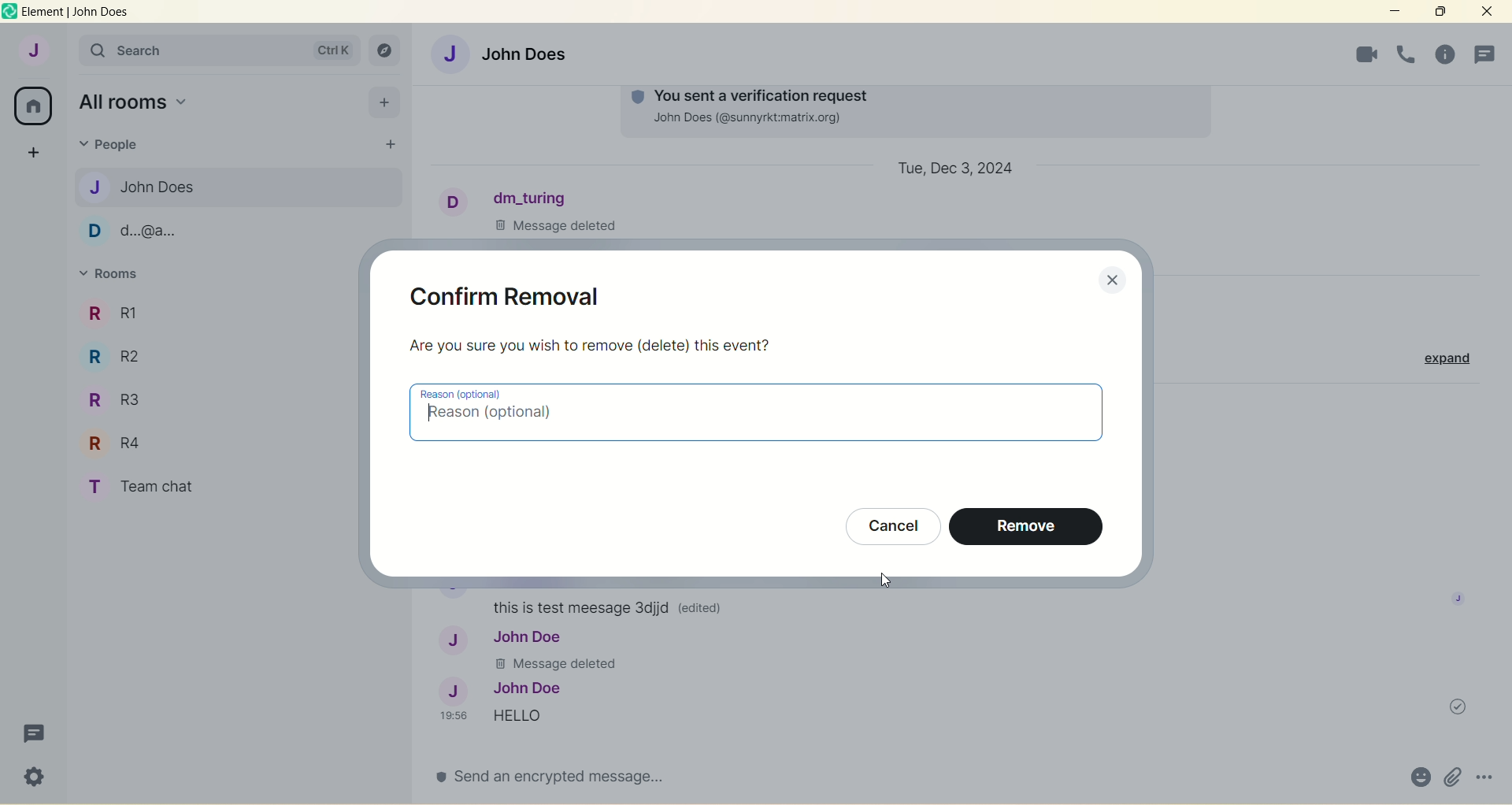 Image resolution: width=1512 pixels, height=805 pixels. Describe the element at coordinates (1455, 598) in the screenshot. I see `image profile` at that location.